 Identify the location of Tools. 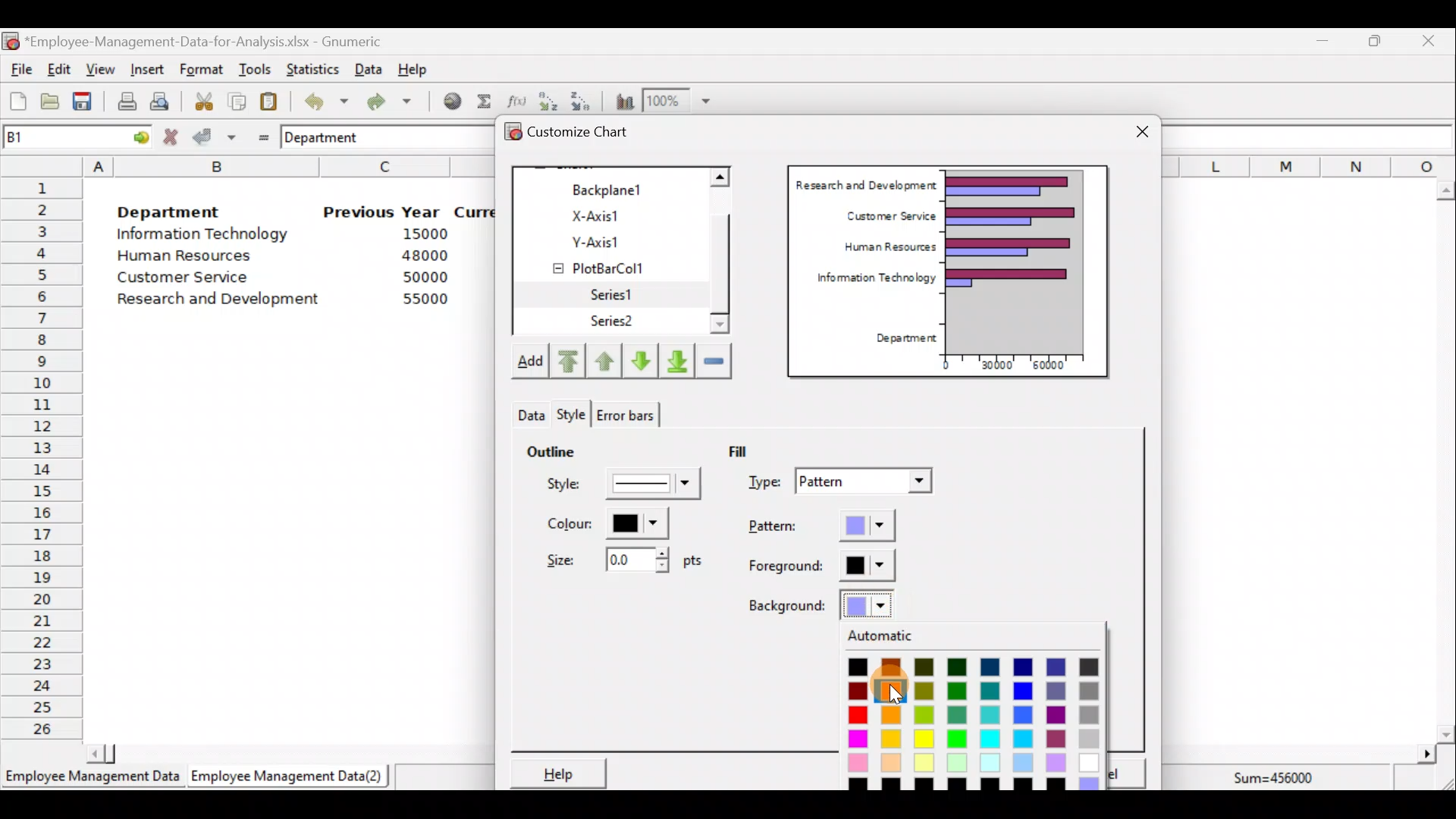
(254, 71).